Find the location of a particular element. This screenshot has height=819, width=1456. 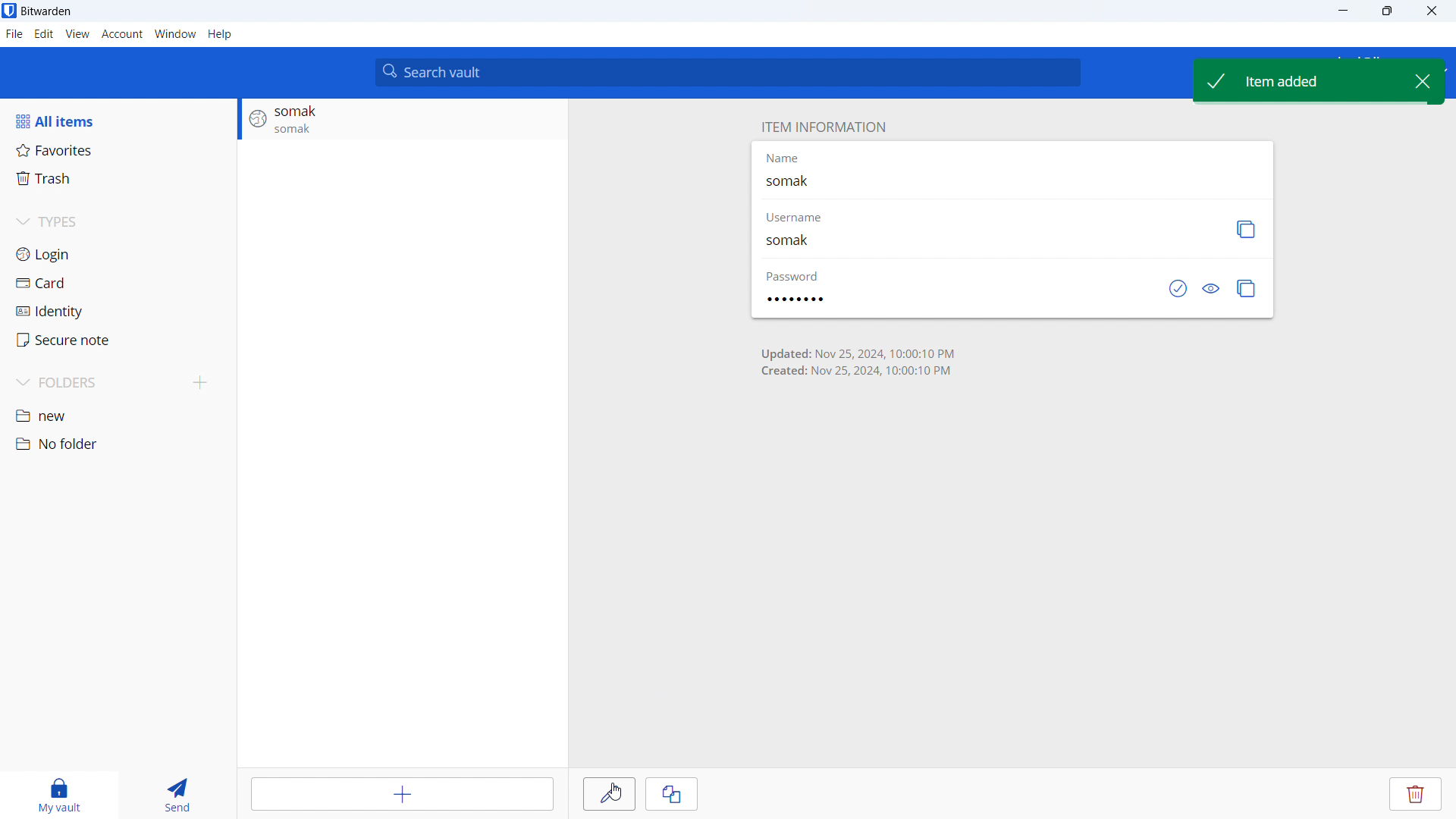

clone is located at coordinates (670, 793).